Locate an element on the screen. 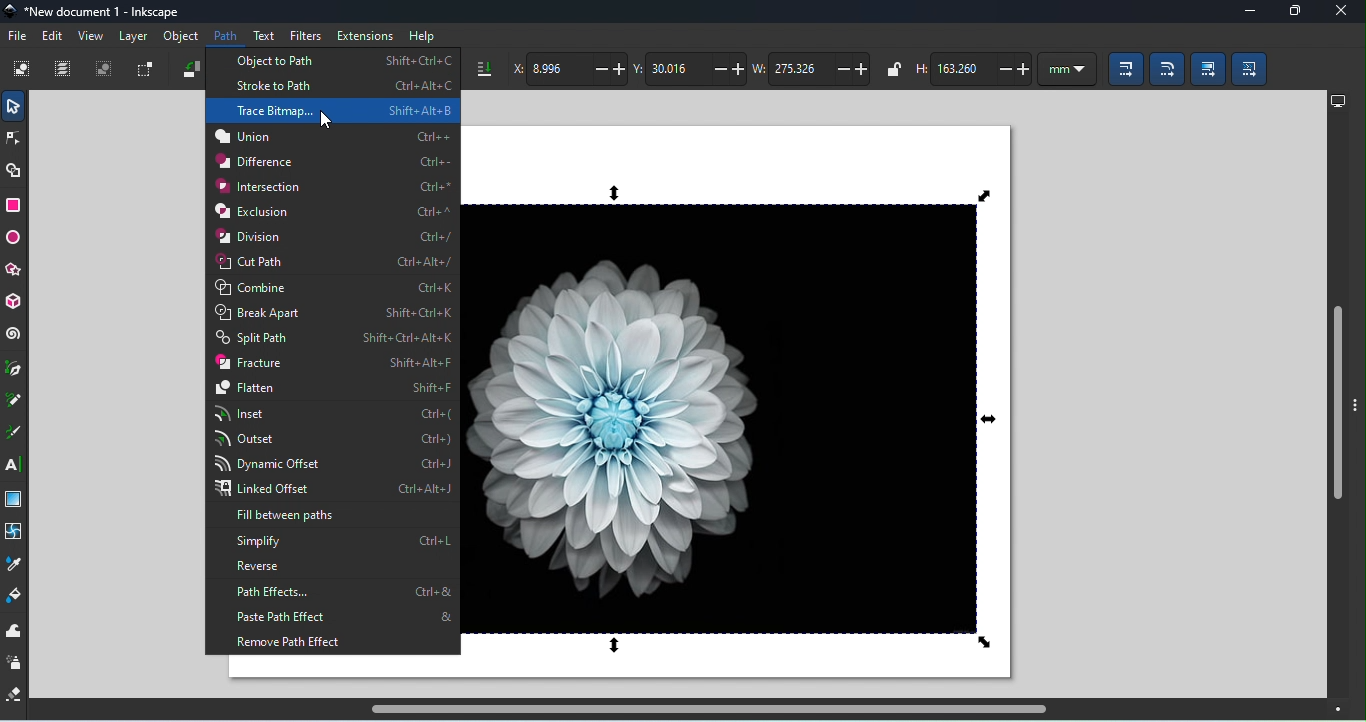  Path effects is located at coordinates (340, 594).